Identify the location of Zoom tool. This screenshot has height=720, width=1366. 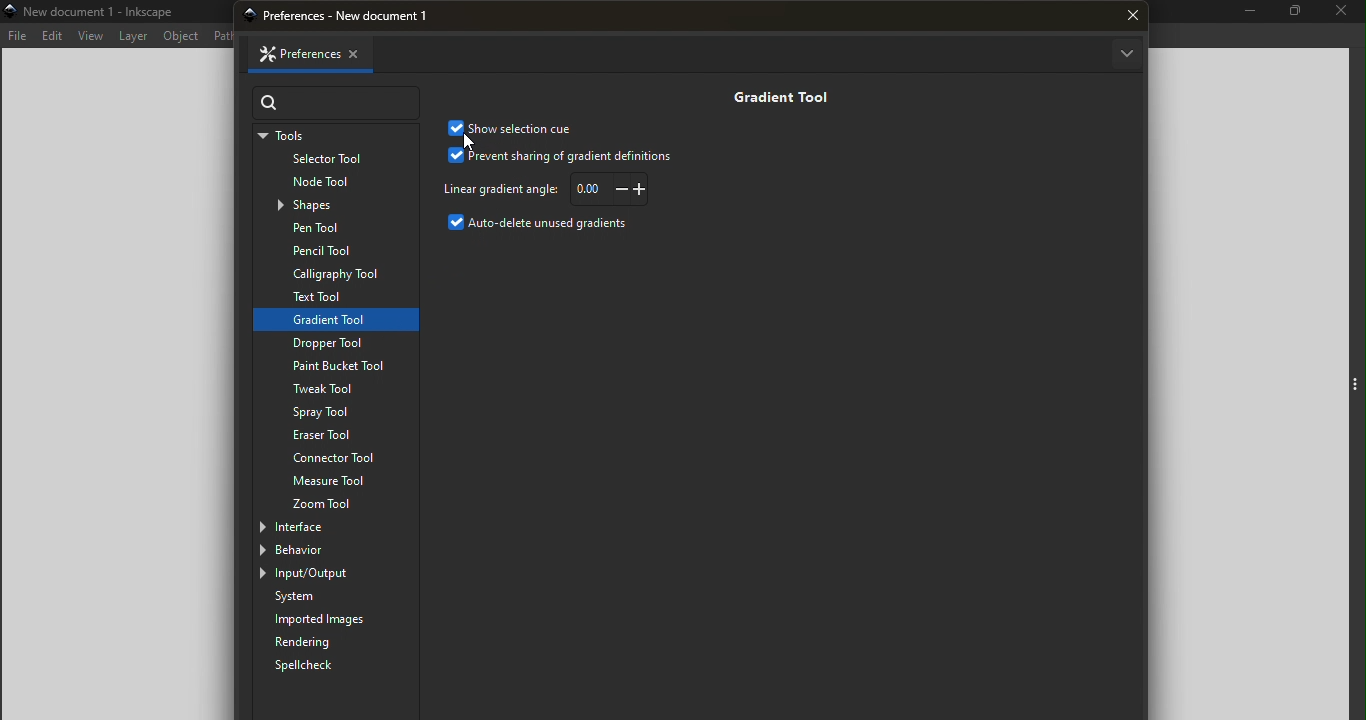
(337, 504).